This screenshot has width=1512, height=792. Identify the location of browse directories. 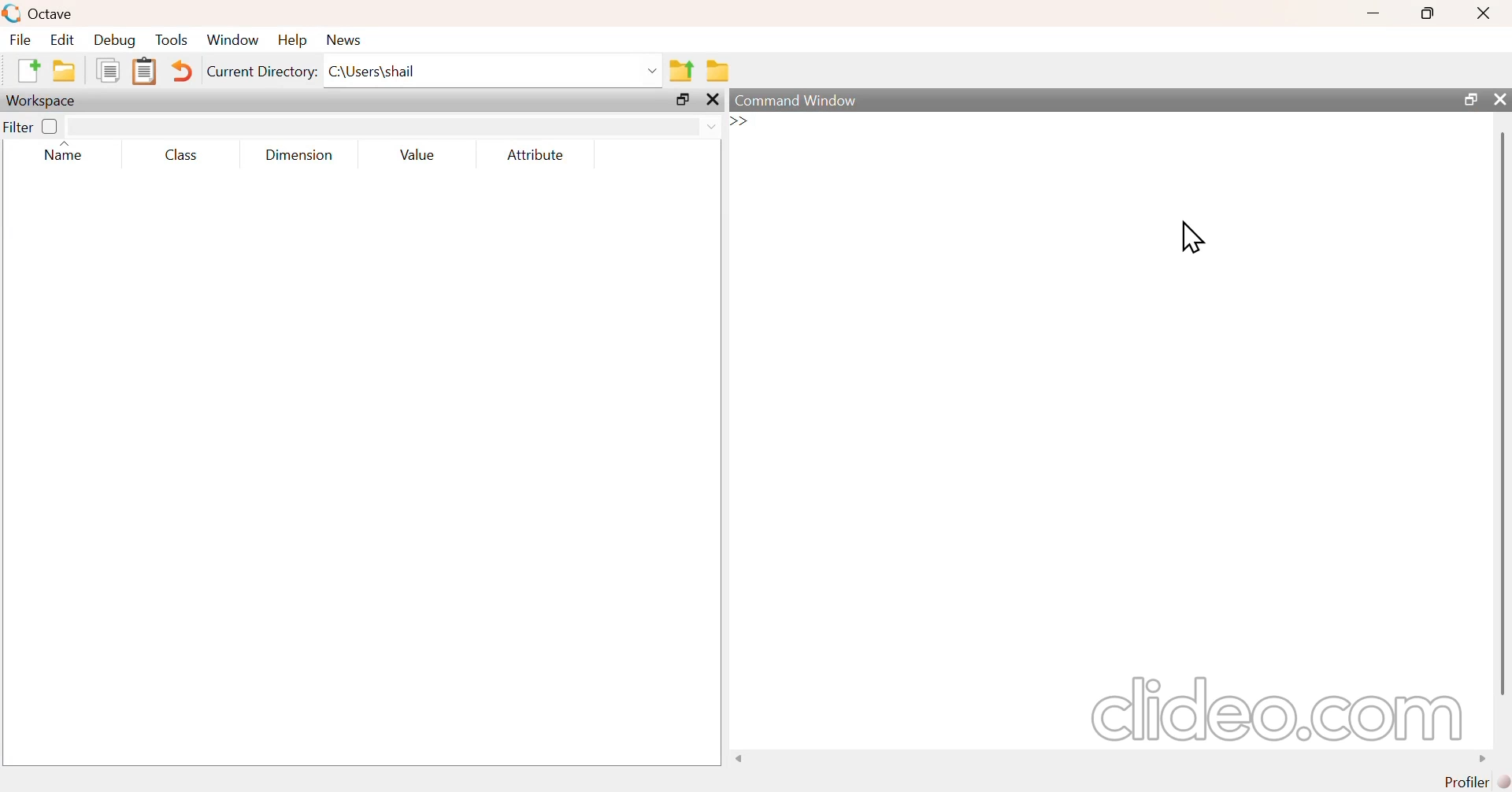
(721, 72).